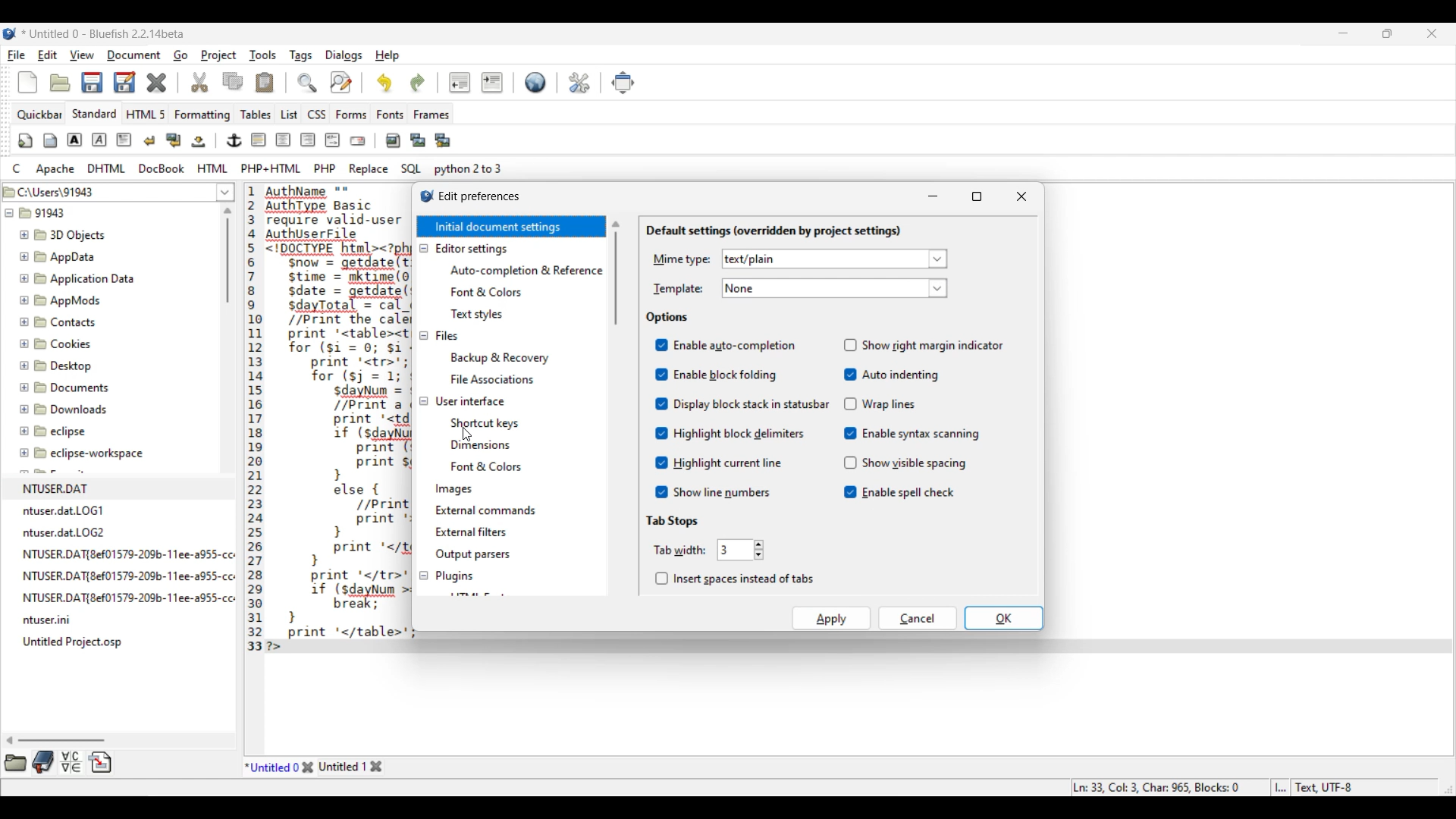 Image resolution: width=1456 pixels, height=819 pixels. What do you see at coordinates (667, 318) in the screenshot?
I see `Section title` at bounding box center [667, 318].